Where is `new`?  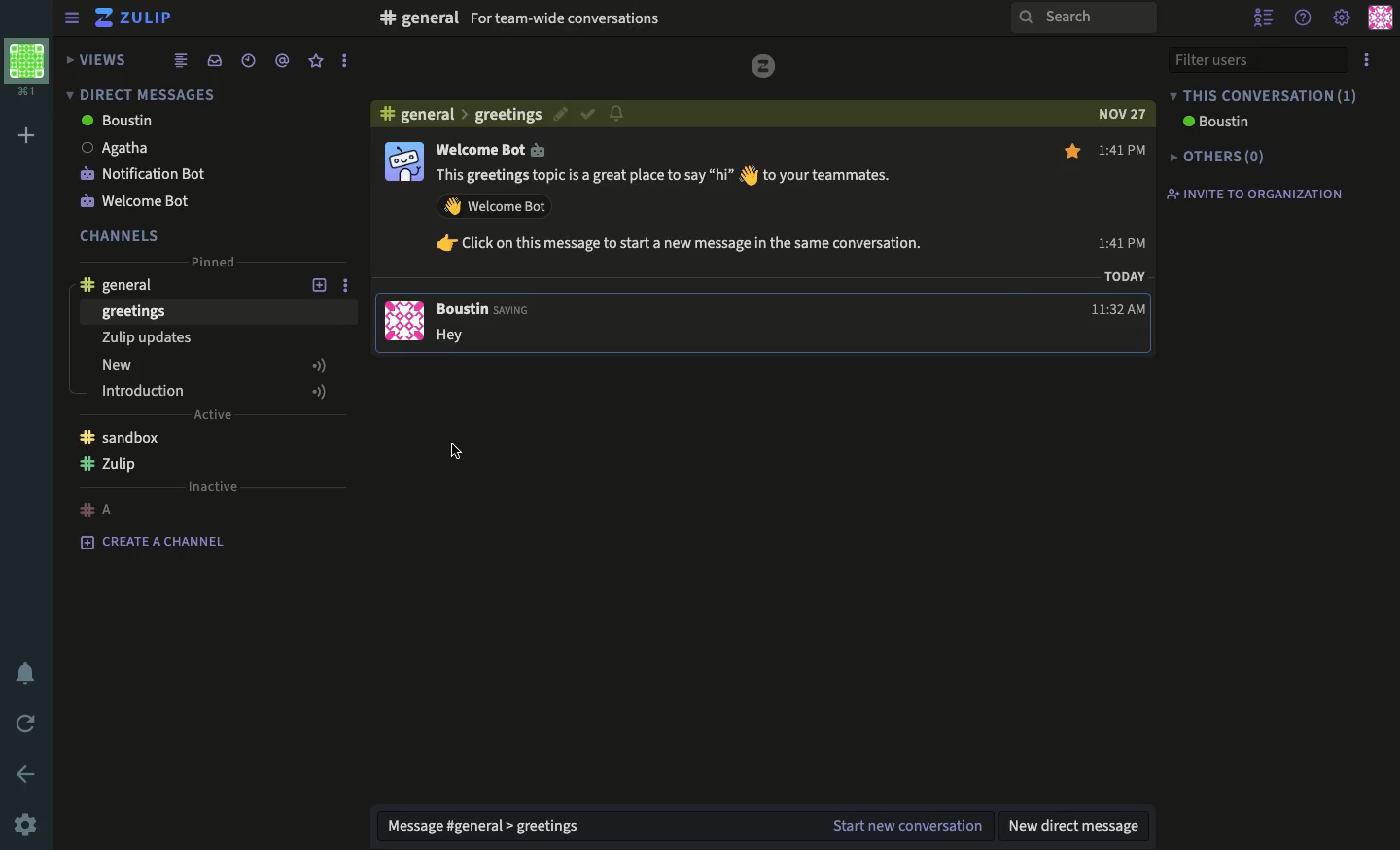
new is located at coordinates (215, 368).